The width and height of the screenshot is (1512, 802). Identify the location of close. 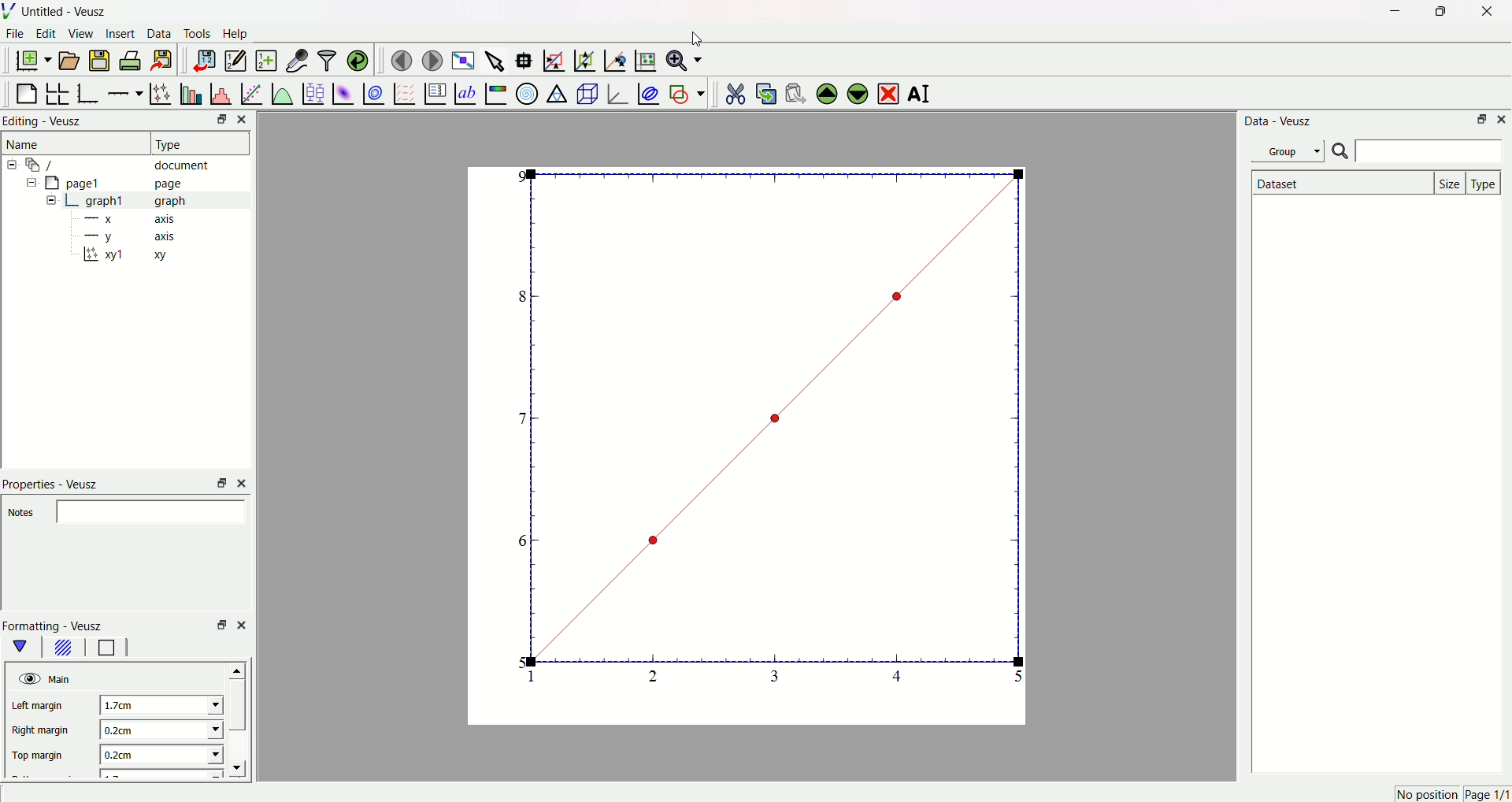
(244, 482).